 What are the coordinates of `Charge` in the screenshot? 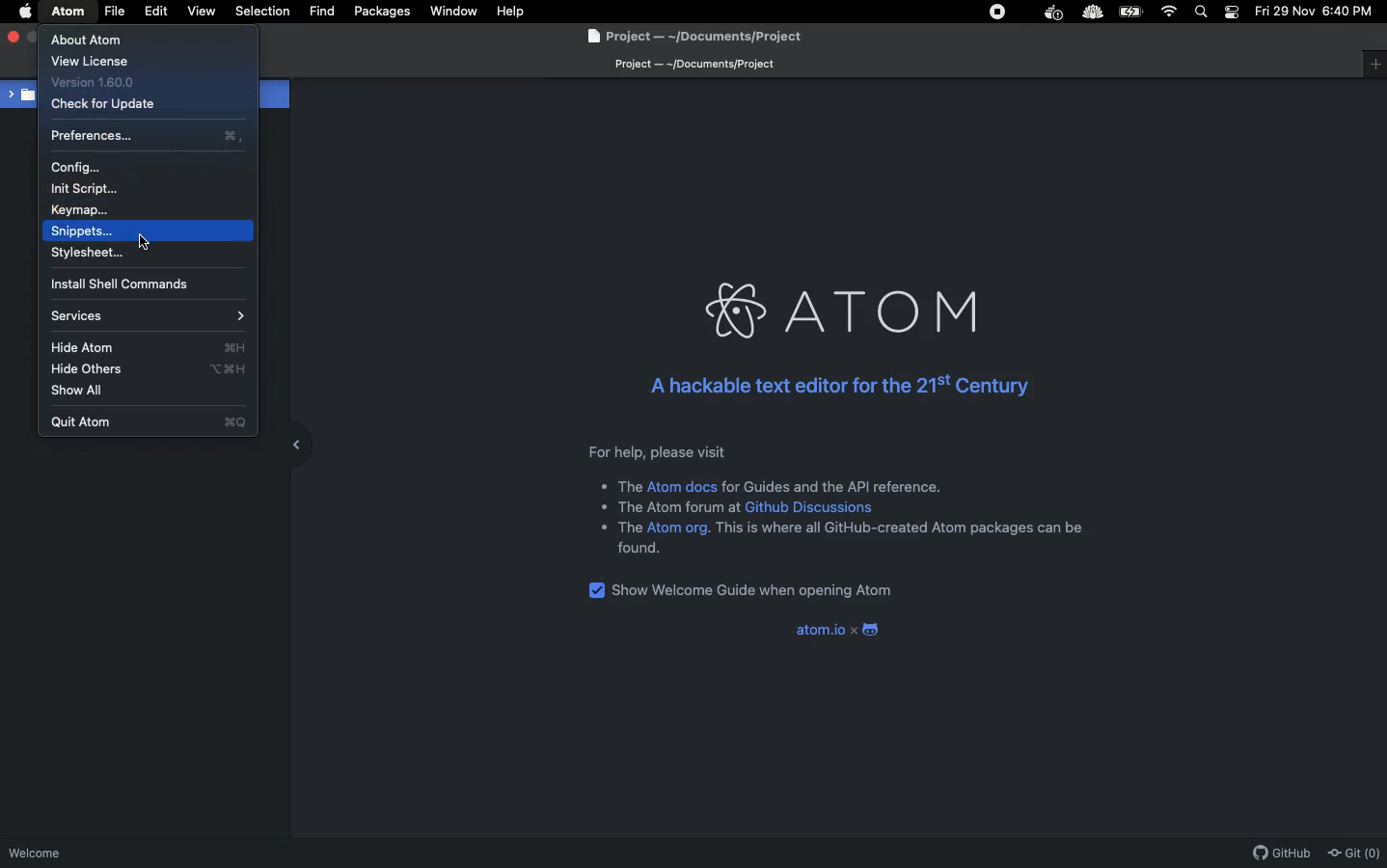 It's located at (1133, 12).